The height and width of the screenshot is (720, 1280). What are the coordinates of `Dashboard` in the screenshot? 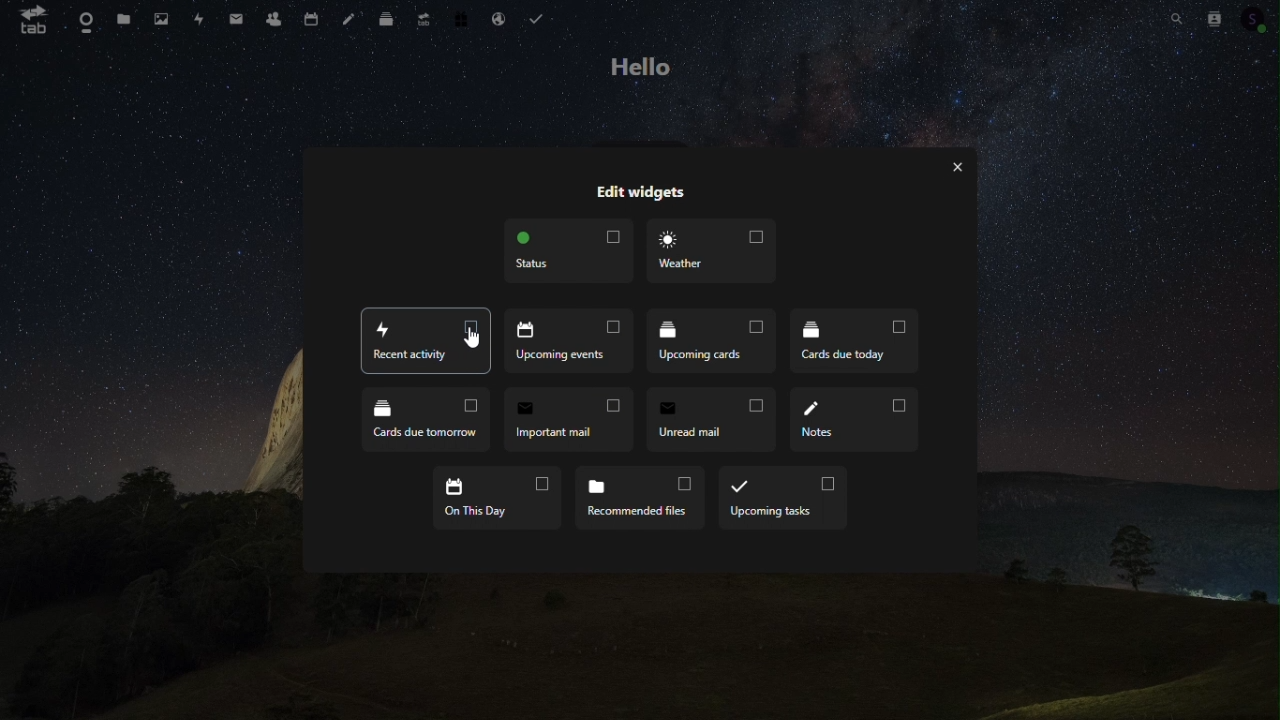 It's located at (79, 19).